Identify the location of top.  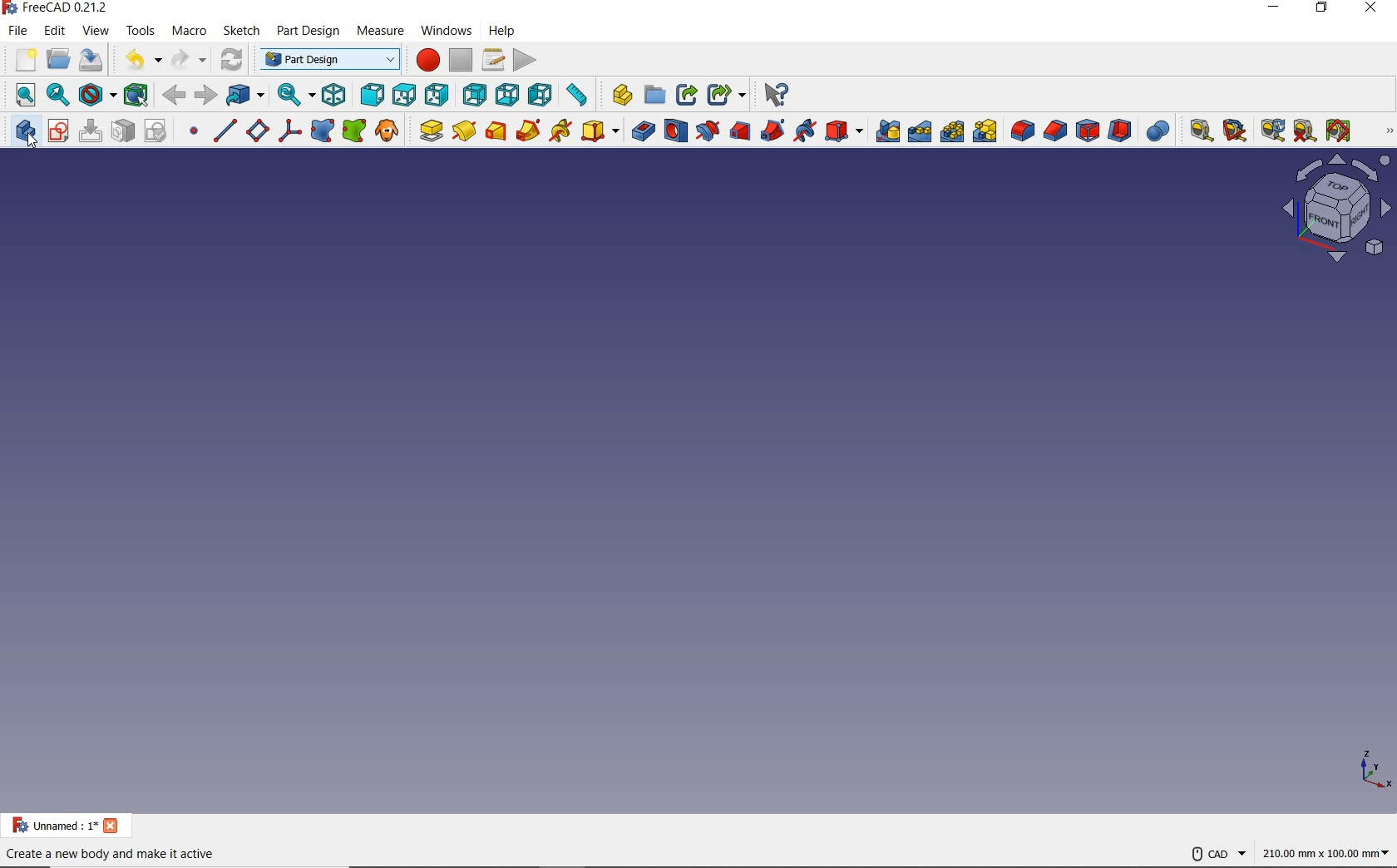
(402, 96).